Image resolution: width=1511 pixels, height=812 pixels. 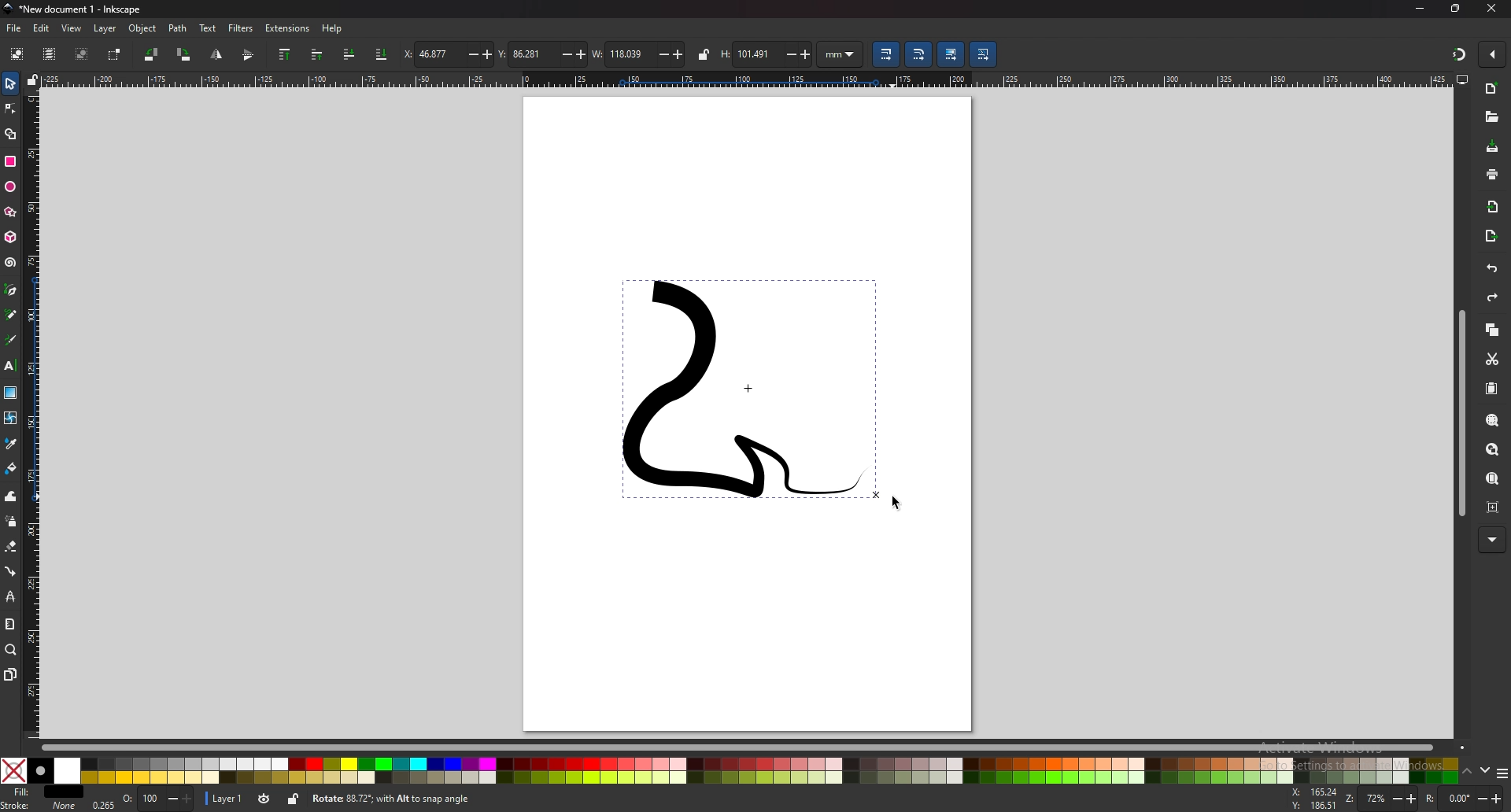 I want to click on fill, so click(x=40, y=791).